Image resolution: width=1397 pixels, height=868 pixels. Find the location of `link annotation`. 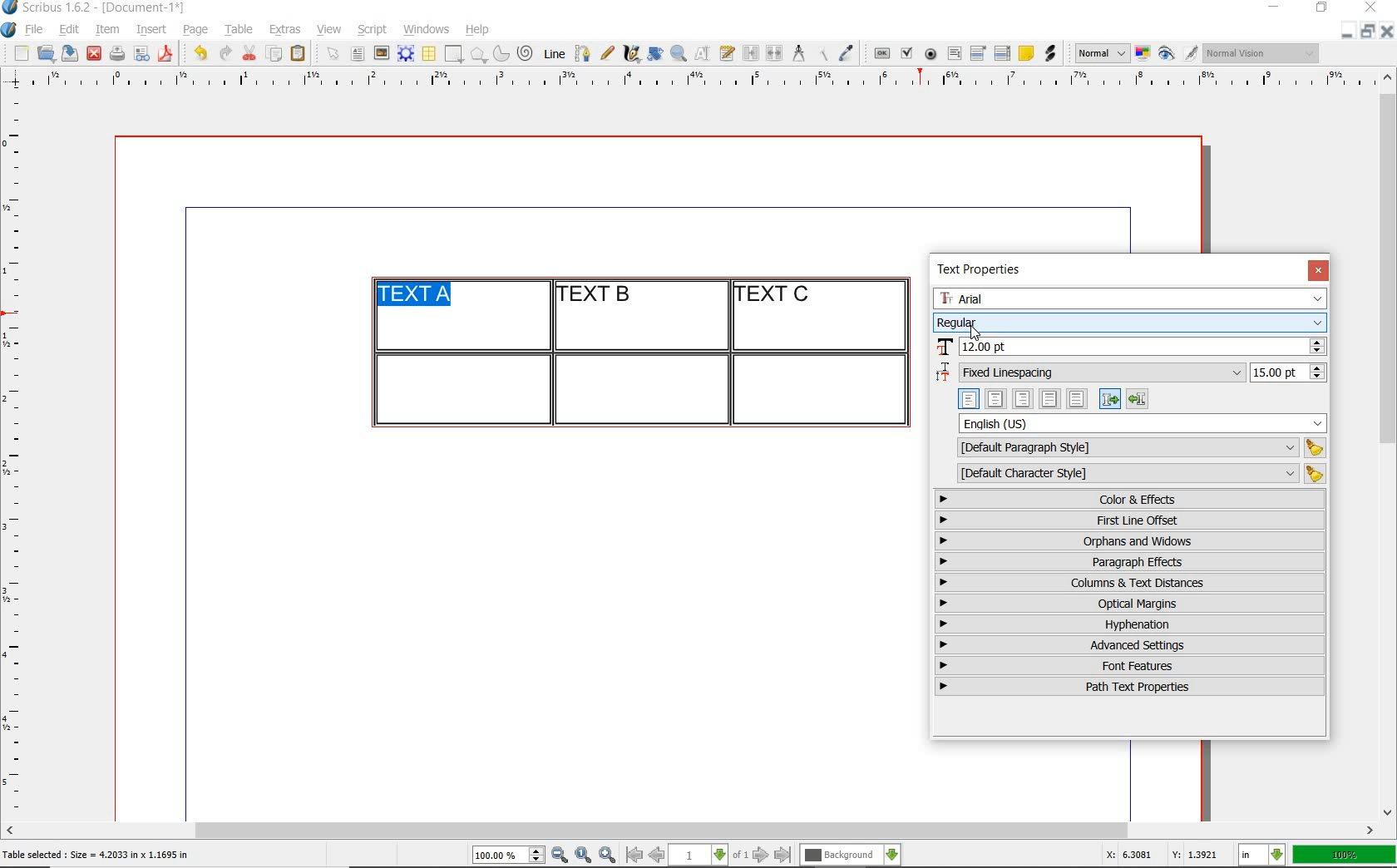

link annotation is located at coordinates (1052, 53).